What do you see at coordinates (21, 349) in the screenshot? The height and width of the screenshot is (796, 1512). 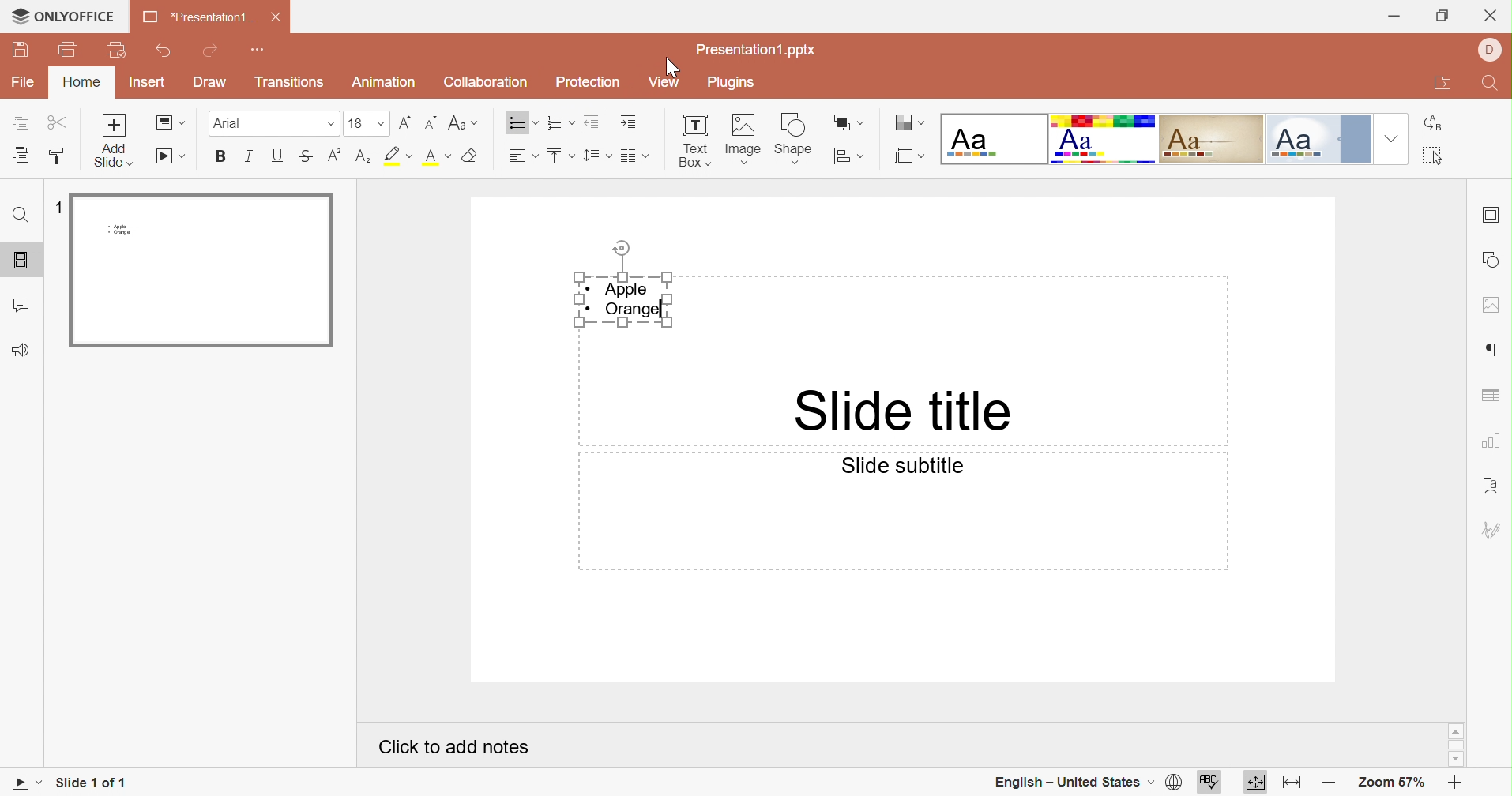 I see `Feedback and Support` at bounding box center [21, 349].